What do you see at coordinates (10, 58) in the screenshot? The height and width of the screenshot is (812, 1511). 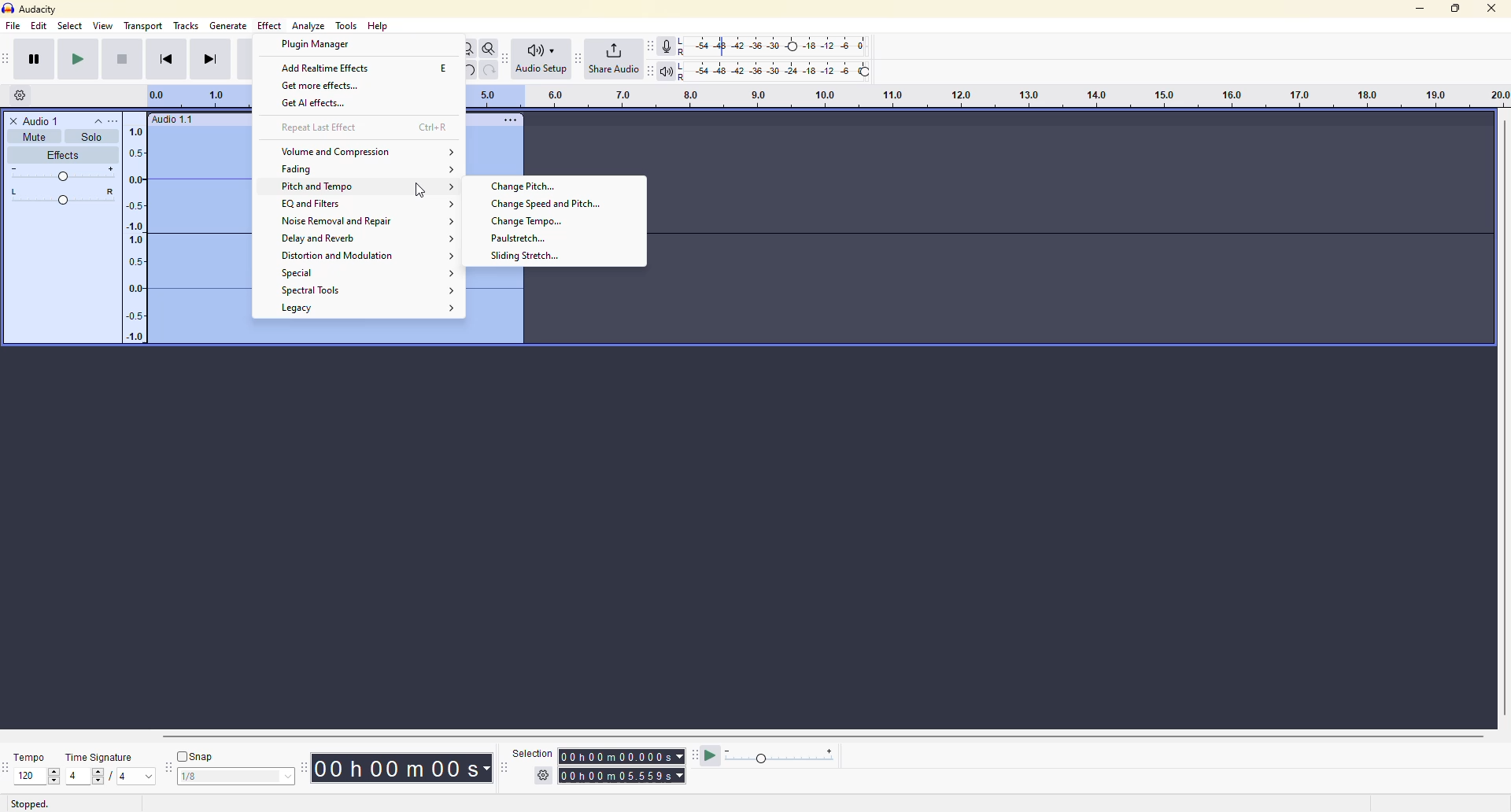 I see `transport toolbar` at bounding box center [10, 58].